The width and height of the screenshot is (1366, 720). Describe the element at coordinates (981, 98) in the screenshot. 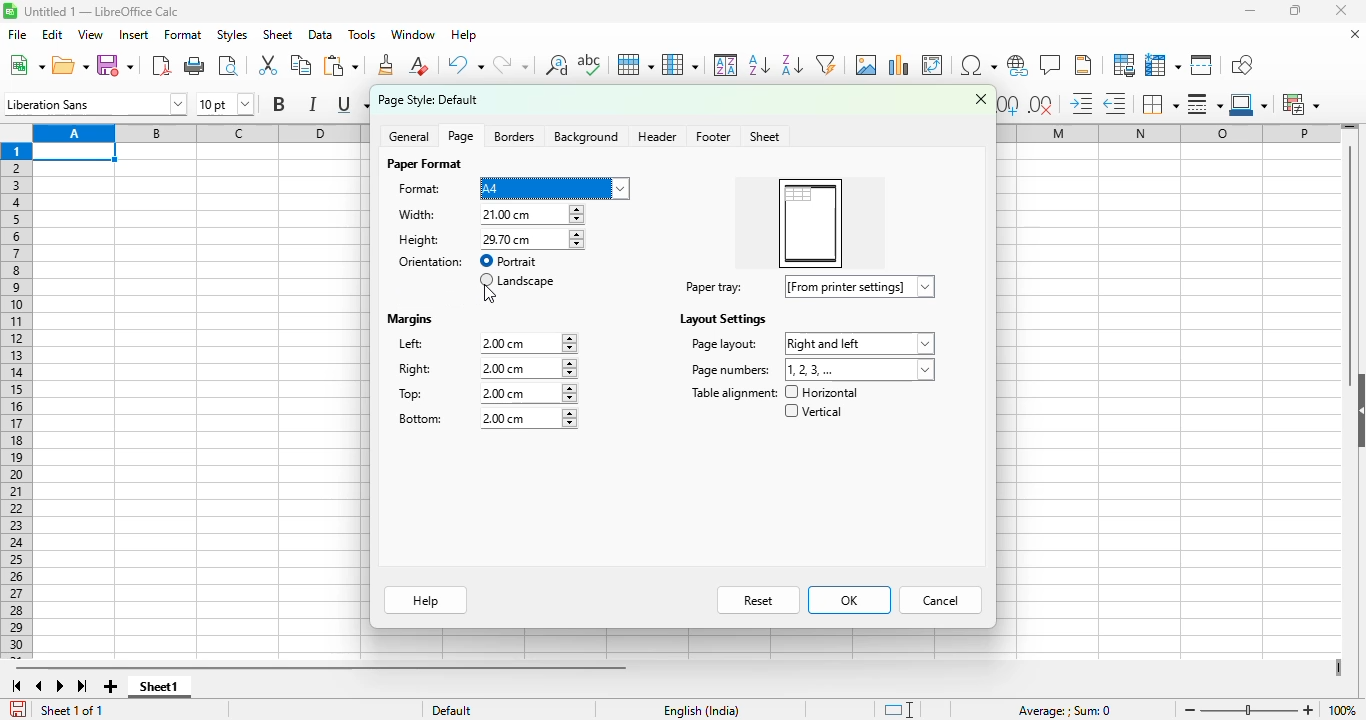

I see `close` at that location.